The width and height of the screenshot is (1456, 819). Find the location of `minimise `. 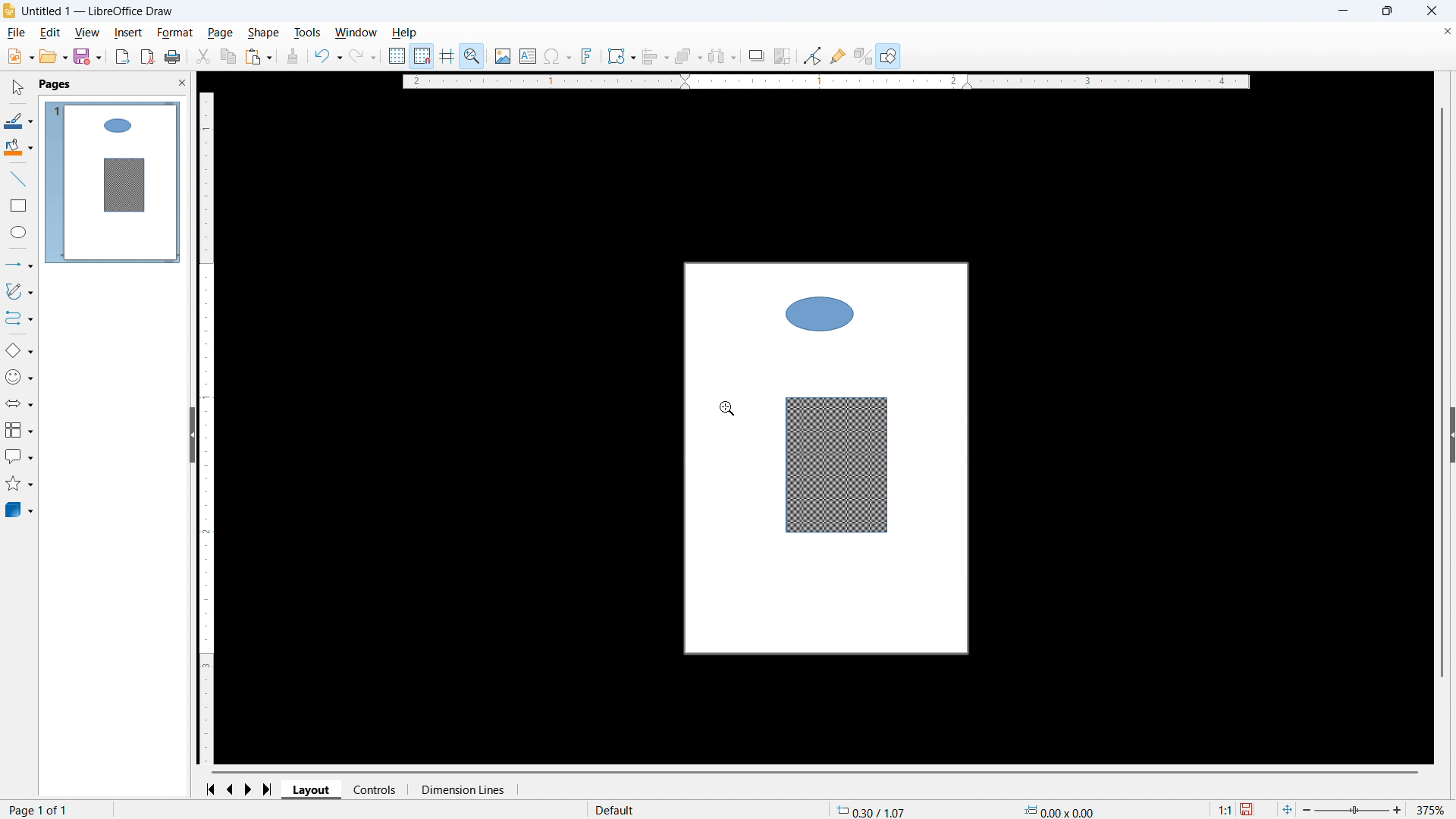

minimise  is located at coordinates (1341, 11).